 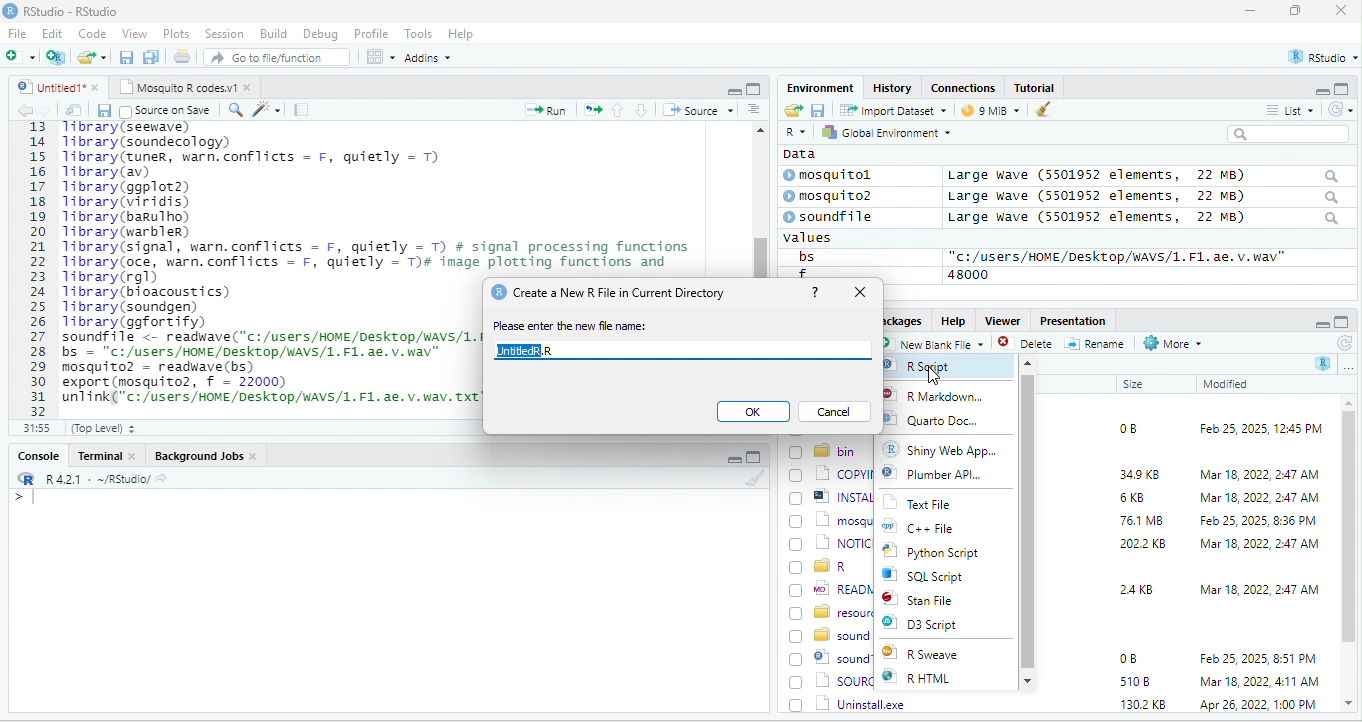 What do you see at coordinates (1258, 681) in the screenshot?
I see `Mar 18, 2022, 4:11 AM` at bounding box center [1258, 681].